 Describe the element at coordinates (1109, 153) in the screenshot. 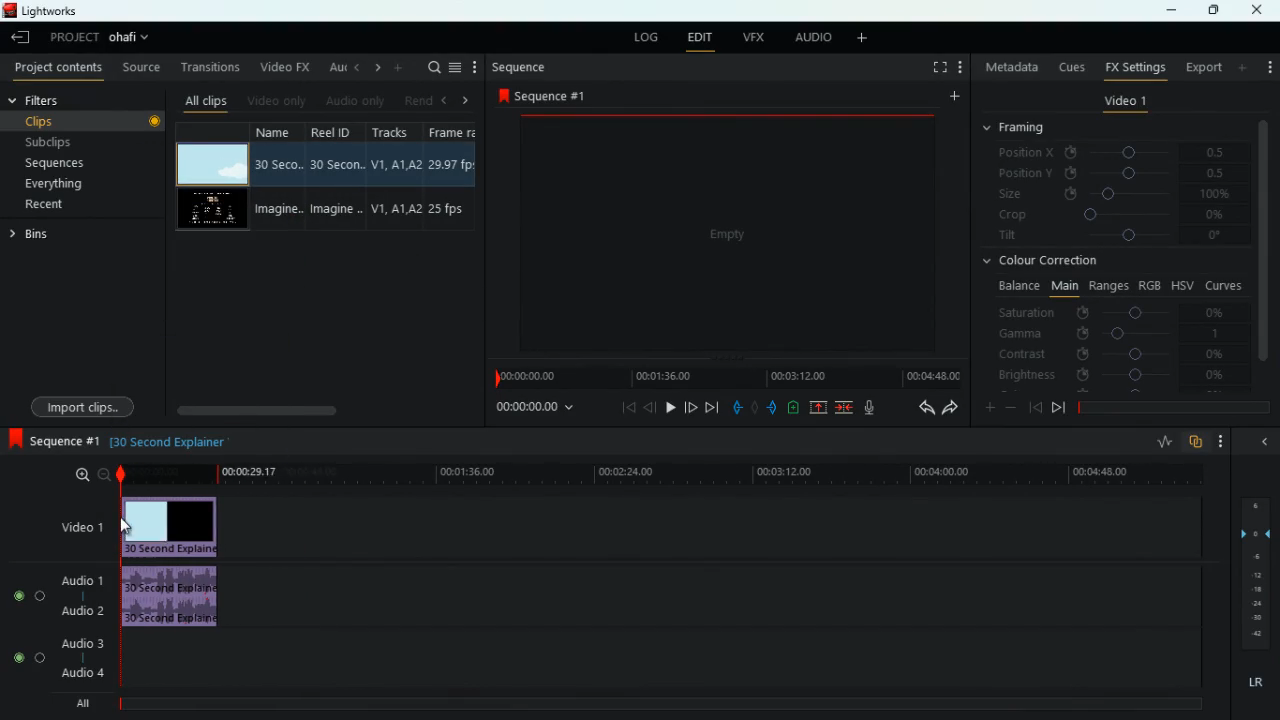

I see `position X` at that location.